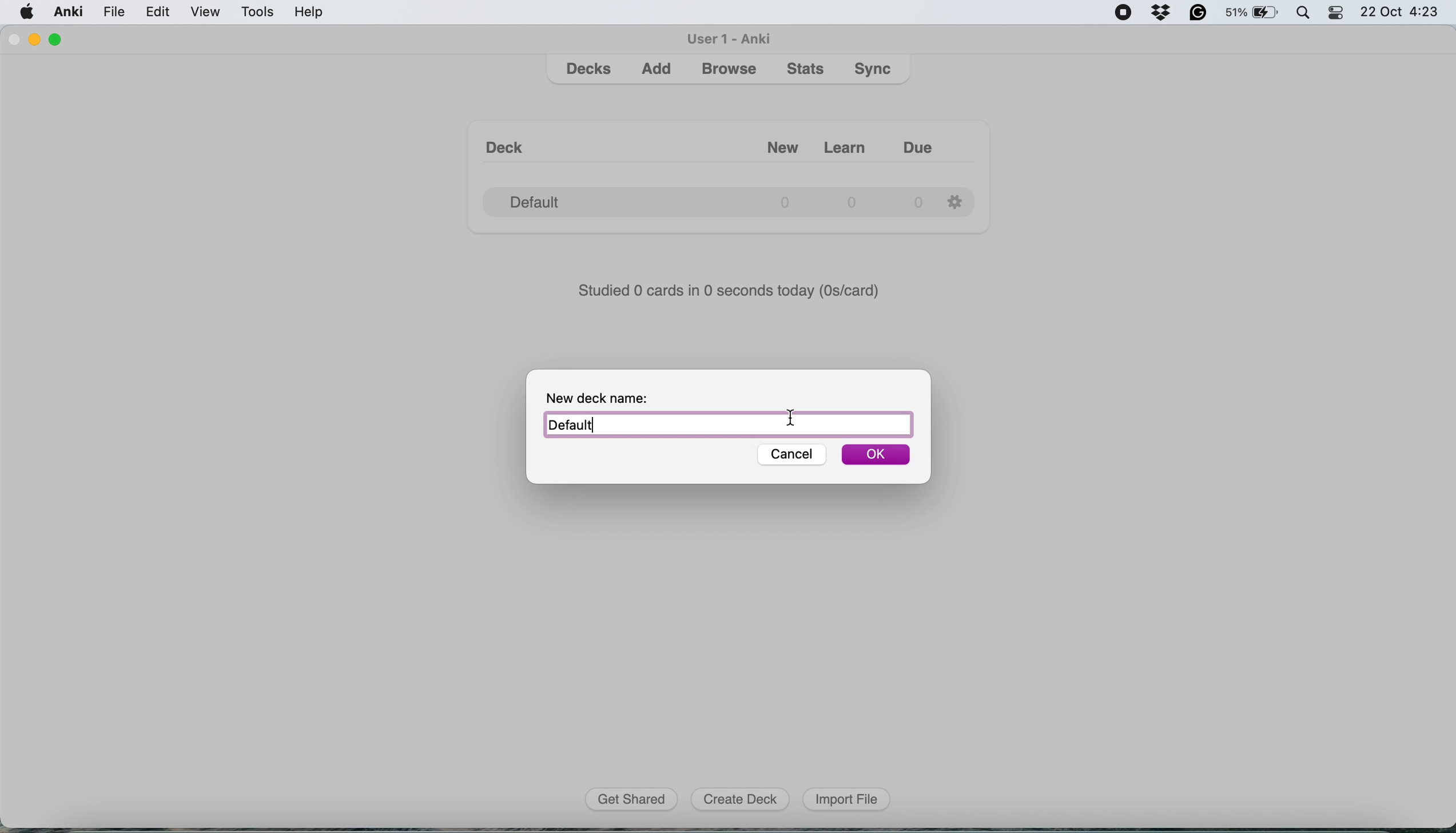 This screenshot has height=833, width=1456. What do you see at coordinates (209, 13) in the screenshot?
I see `view` at bounding box center [209, 13].